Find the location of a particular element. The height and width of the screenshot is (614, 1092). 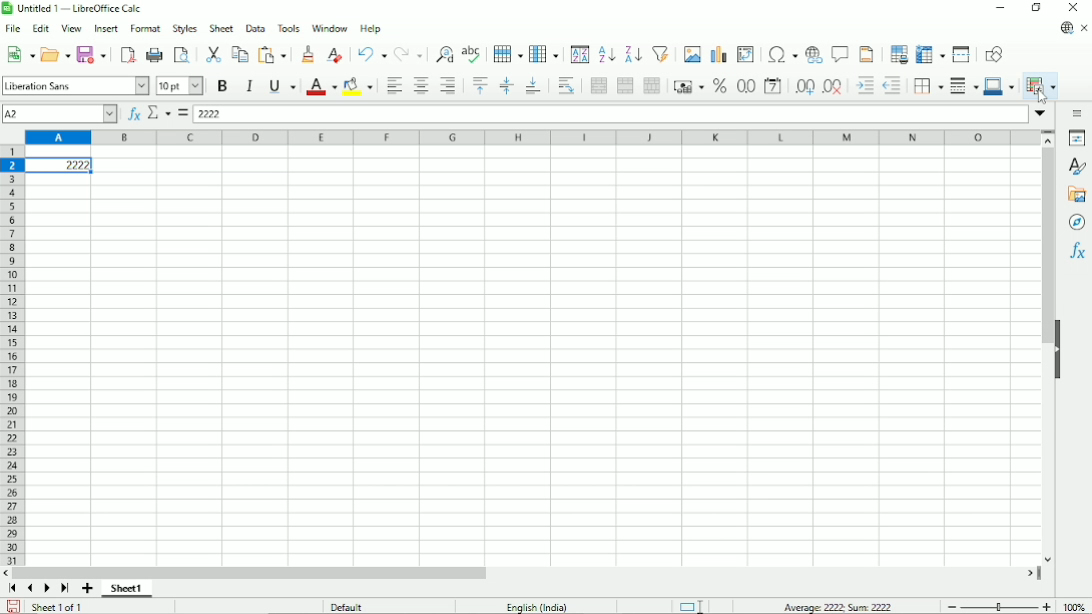

Window is located at coordinates (330, 28).